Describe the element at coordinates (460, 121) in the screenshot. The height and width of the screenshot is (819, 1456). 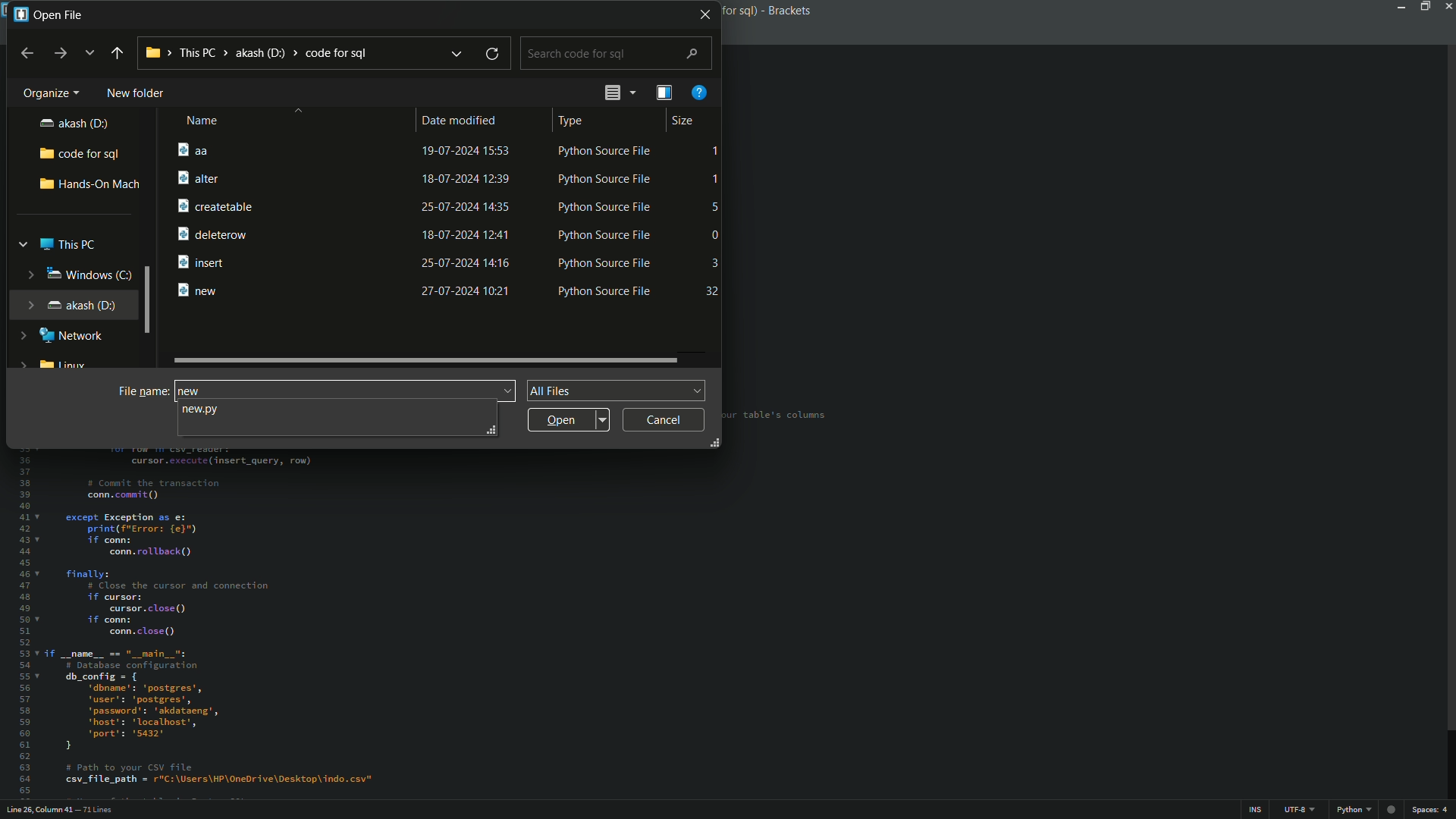
I see `date modified` at that location.